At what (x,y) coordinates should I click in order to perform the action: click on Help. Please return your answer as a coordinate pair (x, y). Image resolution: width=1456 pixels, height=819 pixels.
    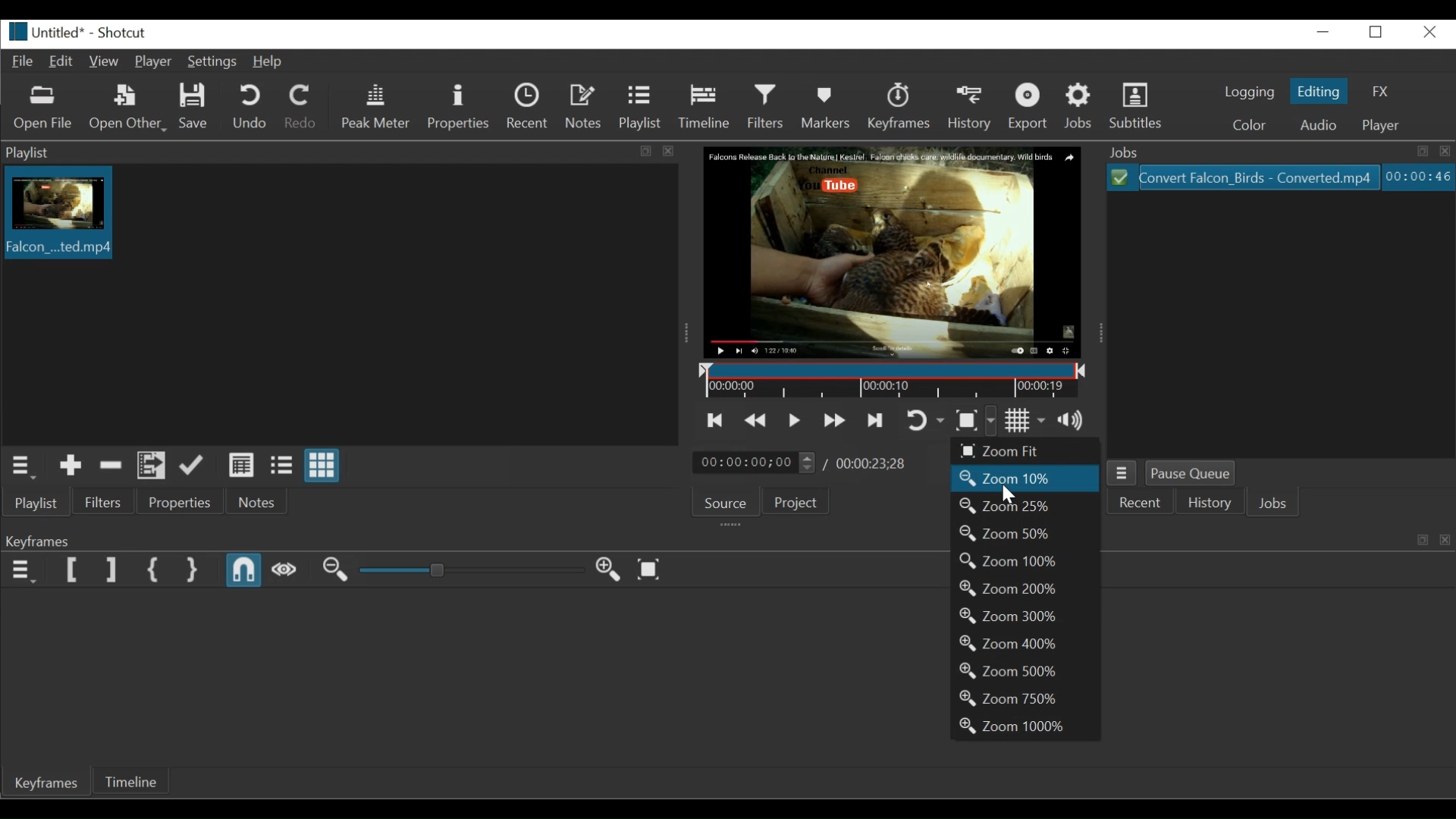
    Looking at the image, I should click on (270, 62).